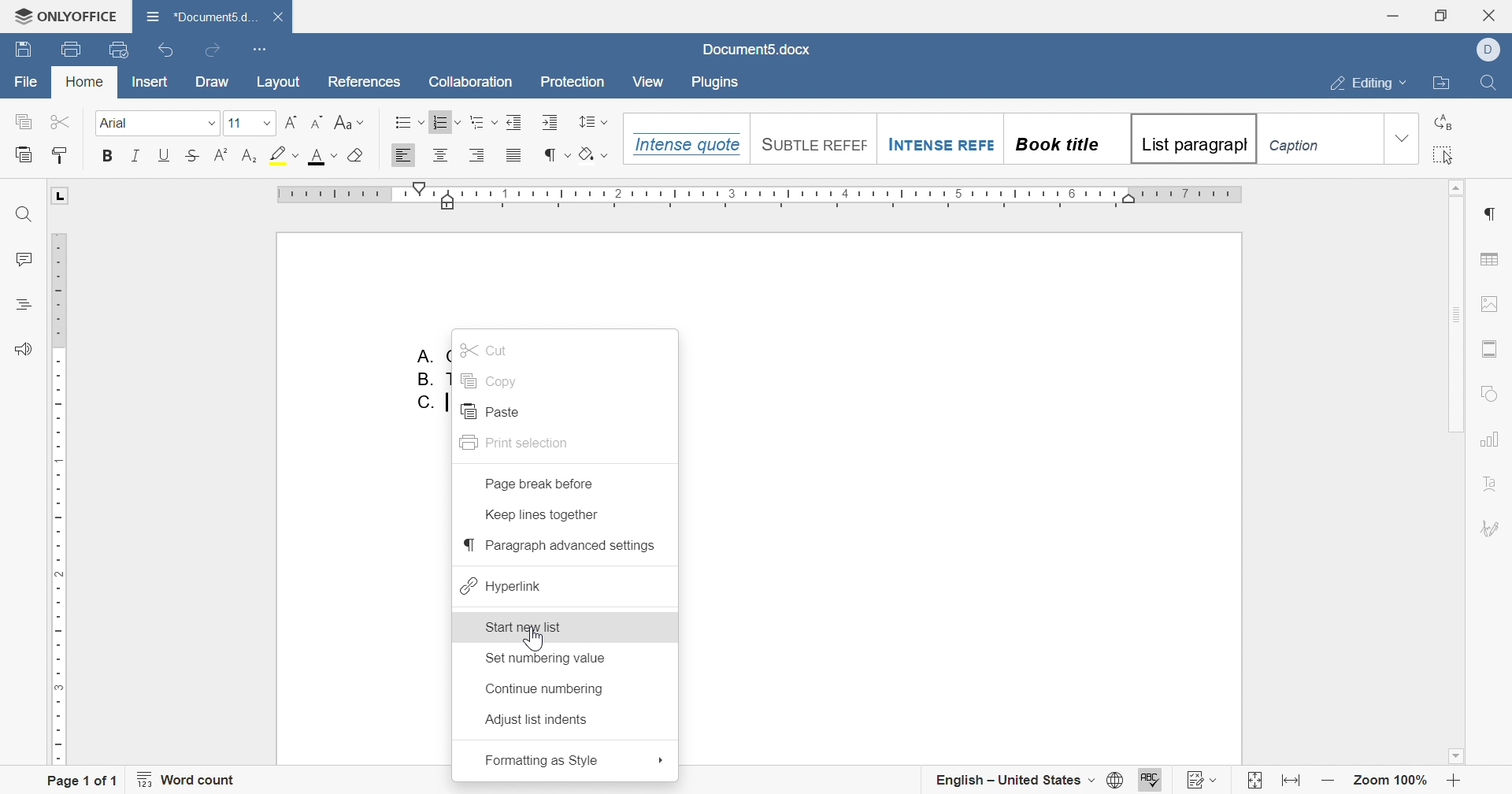 Image resolution: width=1512 pixels, height=794 pixels. What do you see at coordinates (24, 257) in the screenshot?
I see `comments` at bounding box center [24, 257].